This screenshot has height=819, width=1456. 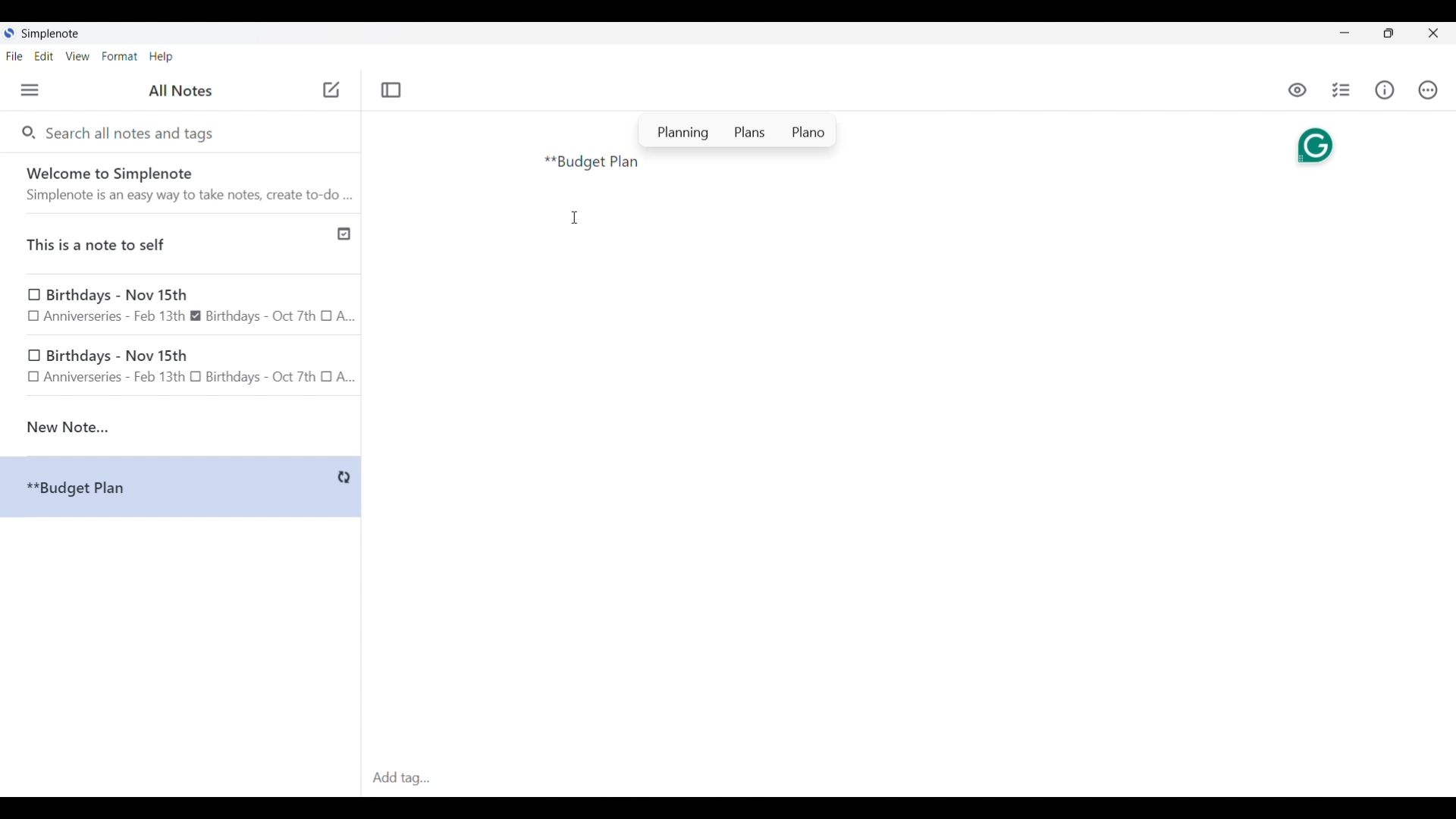 What do you see at coordinates (1345, 33) in the screenshot?
I see `Minimize` at bounding box center [1345, 33].